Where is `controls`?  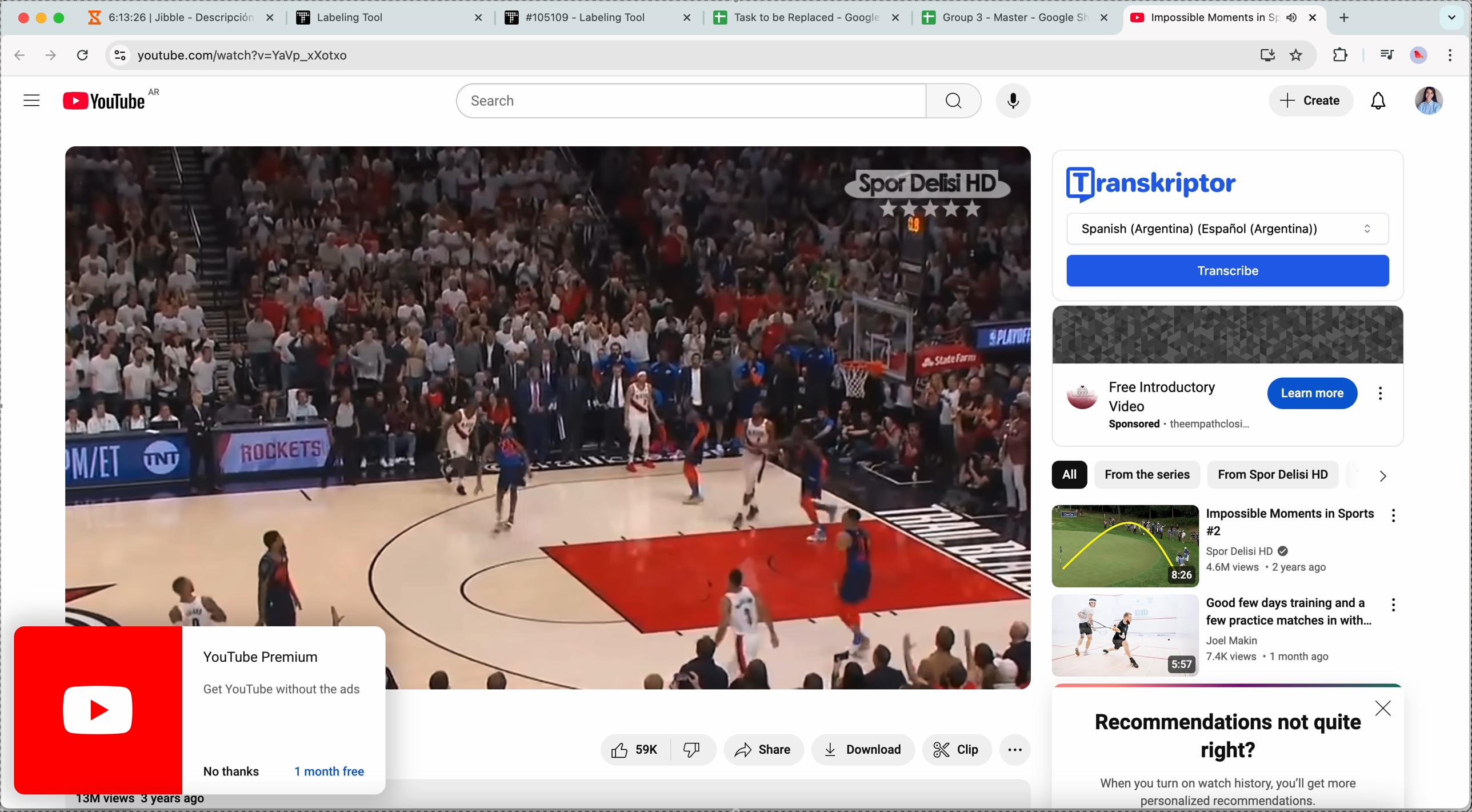
controls is located at coordinates (118, 55).